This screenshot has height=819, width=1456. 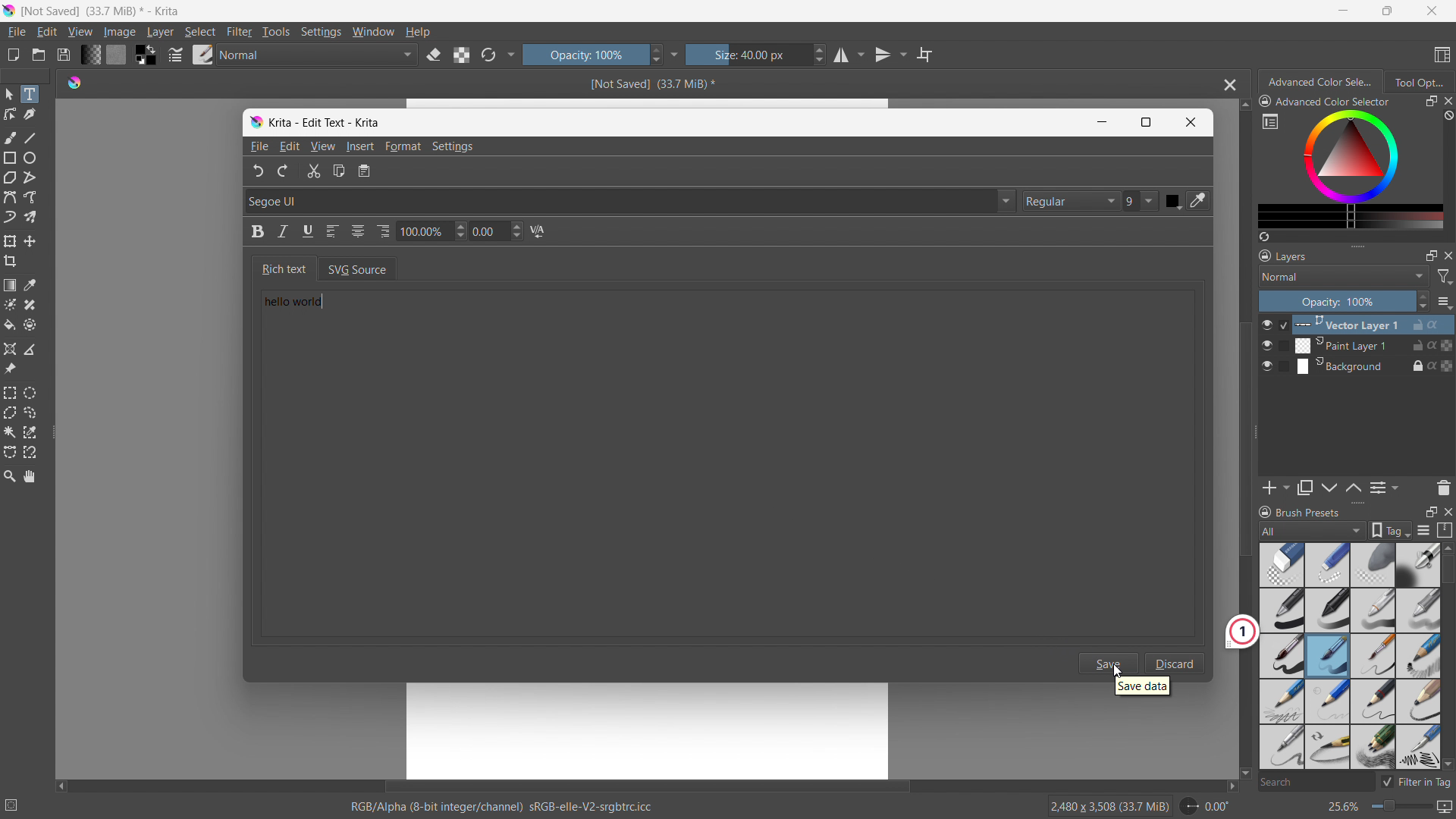 What do you see at coordinates (1344, 276) in the screenshot?
I see `blending mode` at bounding box center [1344, 276].